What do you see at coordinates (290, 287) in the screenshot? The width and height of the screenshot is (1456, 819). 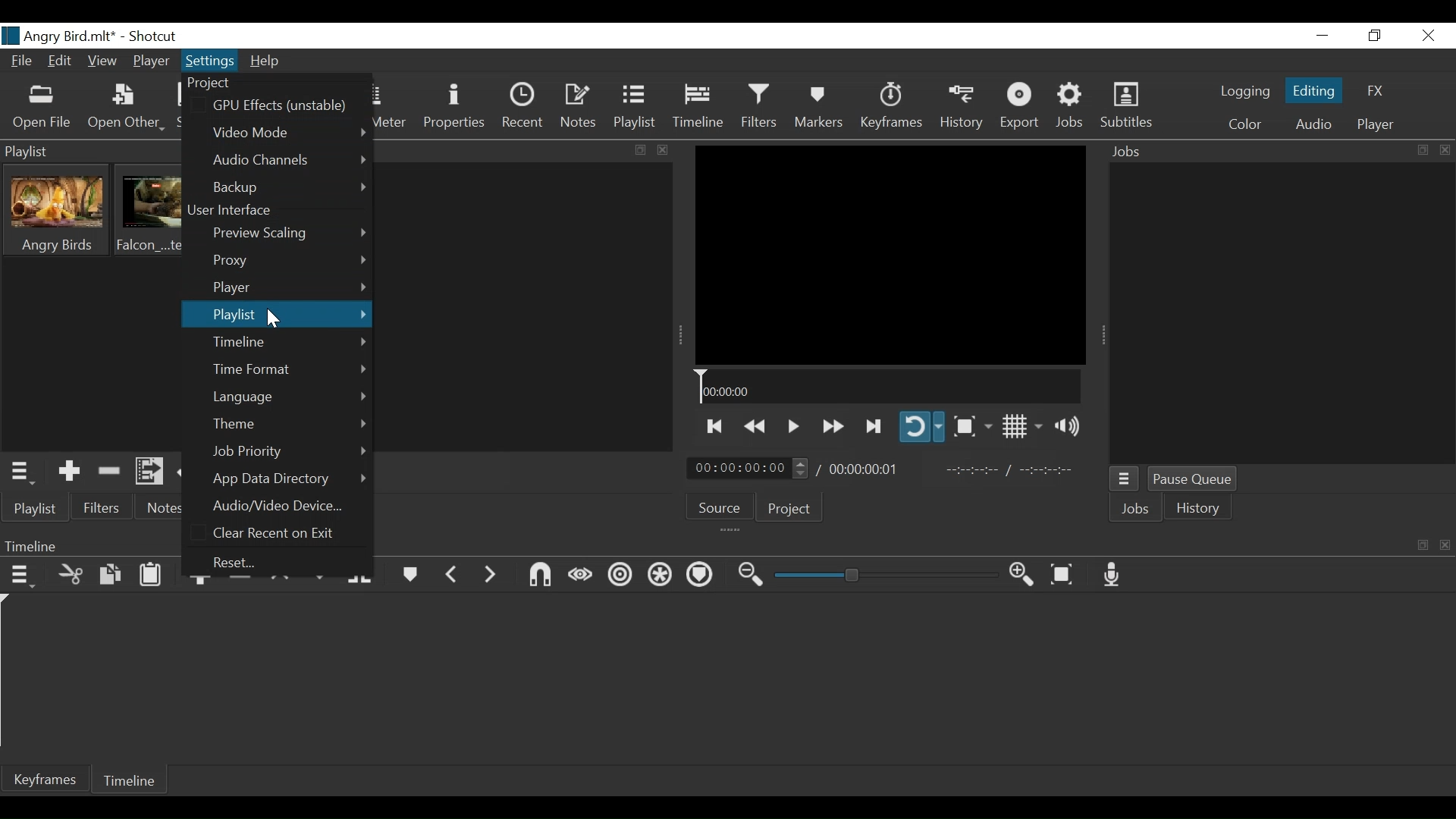 I see `Player` at bounding box center [290, 287].